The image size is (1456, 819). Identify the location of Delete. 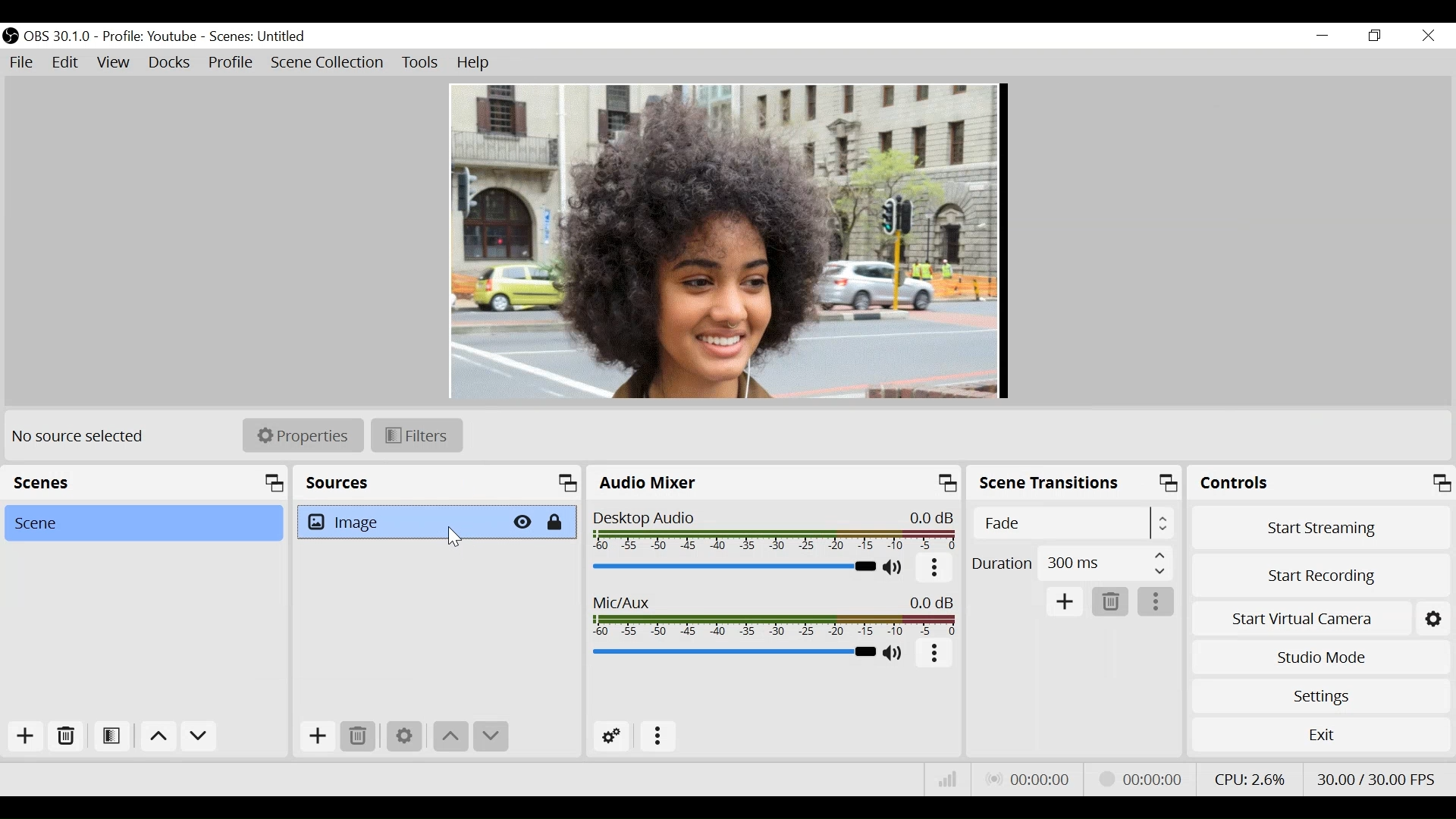
(68, 738).